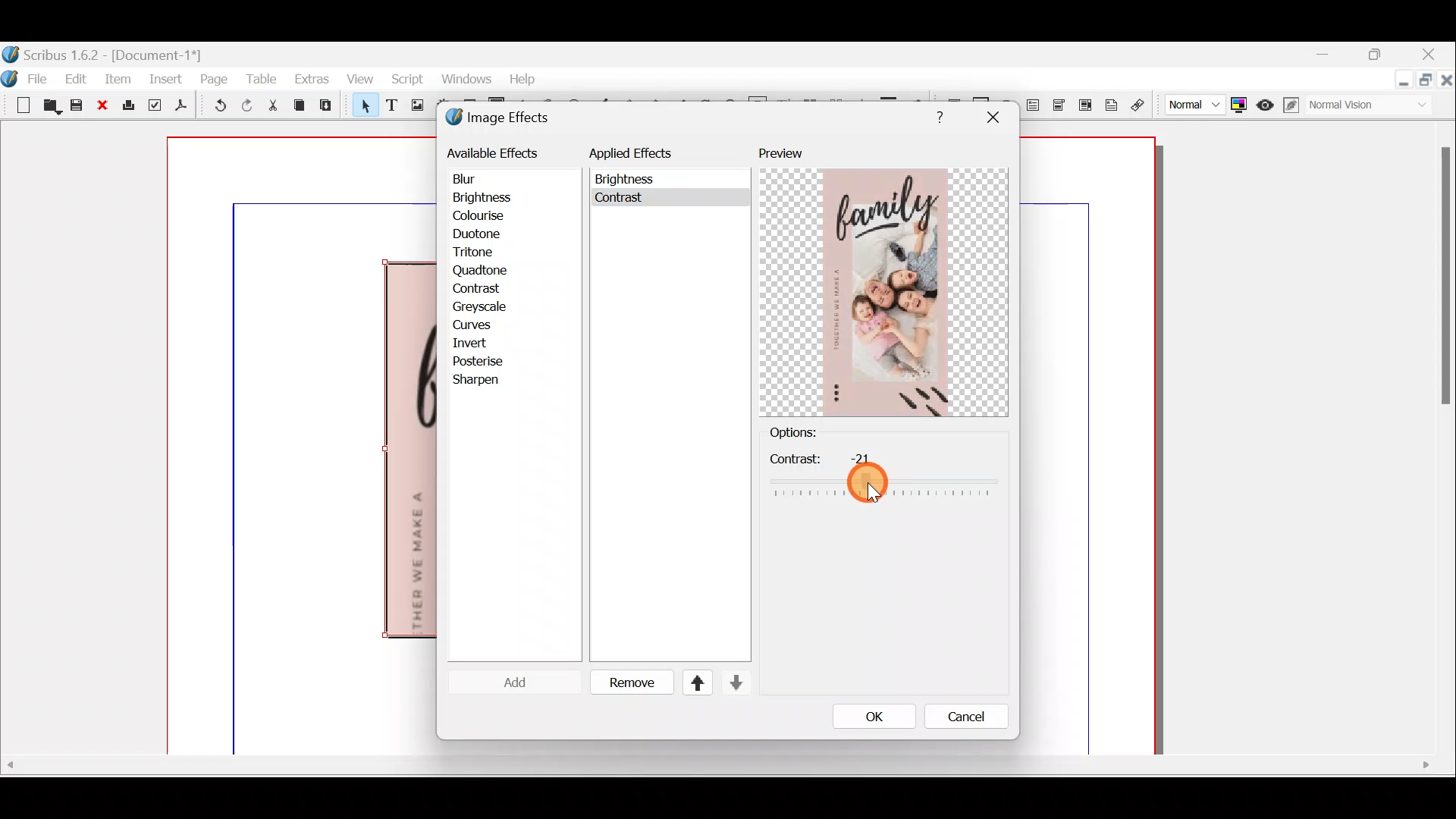  What do you see at coordinates (485, 307) in the screenshot?
I see `Greyscale` at bounding box center [485, 307].